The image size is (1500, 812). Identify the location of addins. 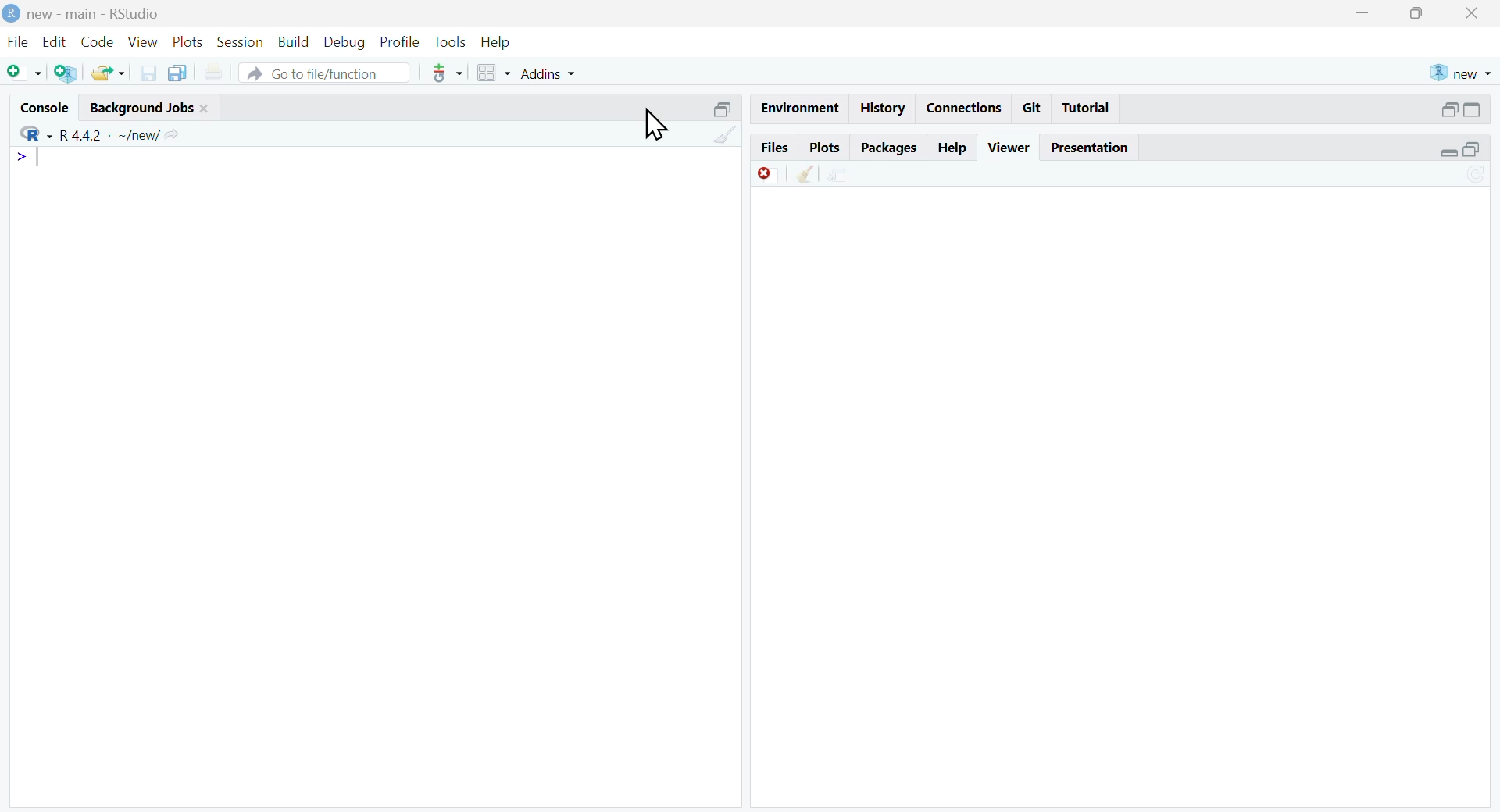
(551, 73).